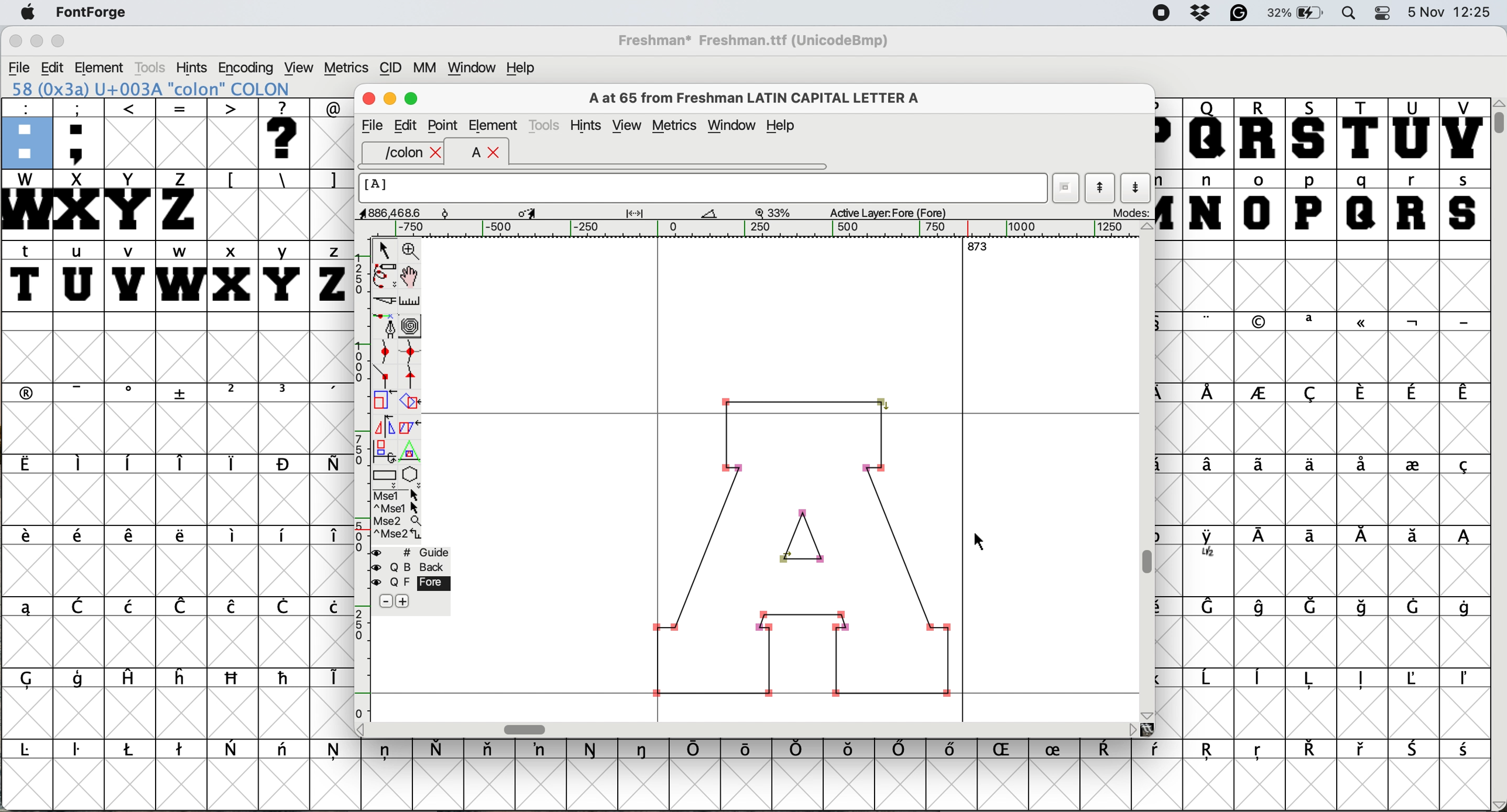 This screenshot has width=1507, height=812. I want to click on close, so click(438, 153).